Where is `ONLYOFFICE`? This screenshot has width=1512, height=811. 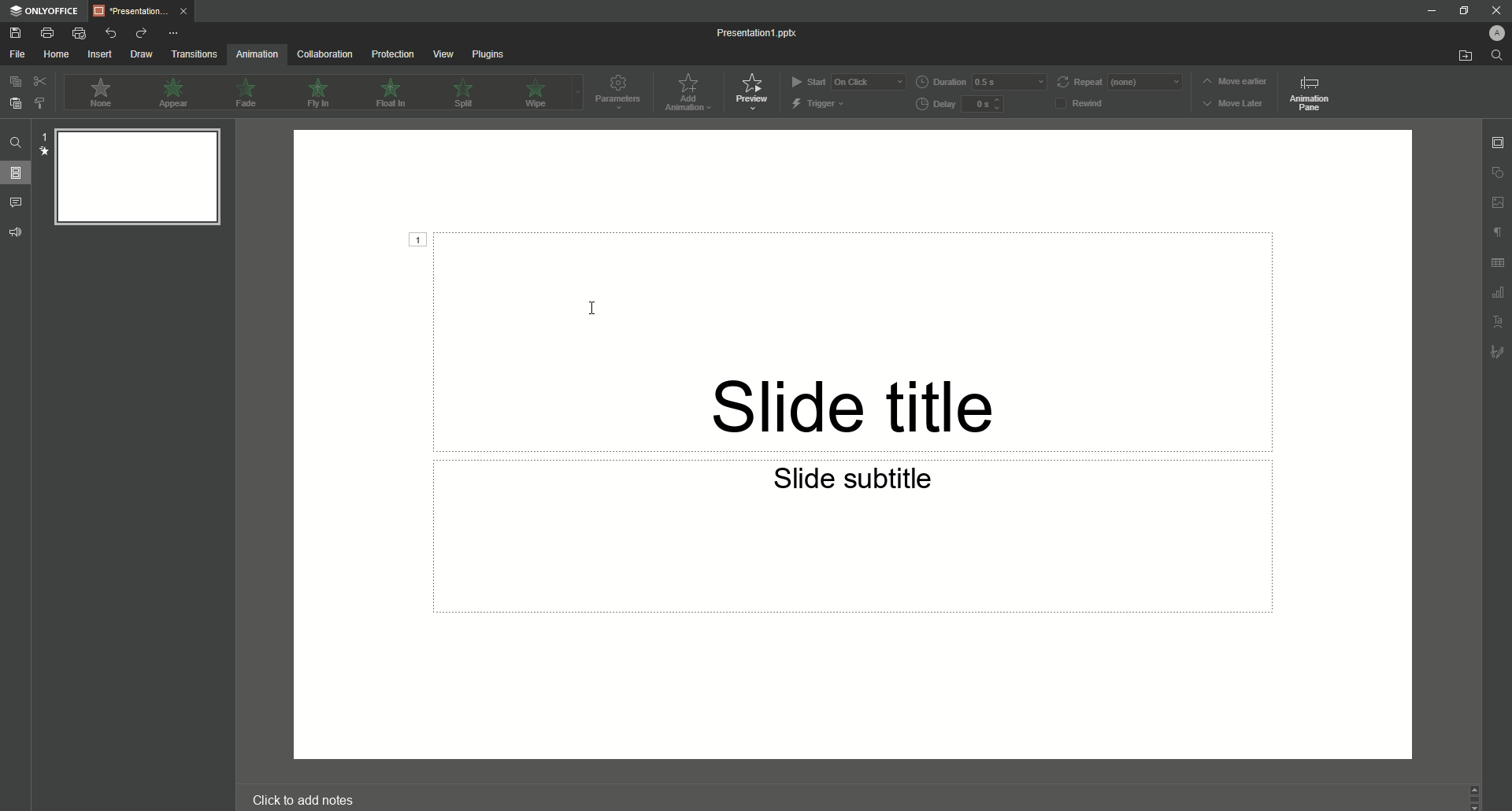 ONLYOFFICE is located at coordinates (47, 11).